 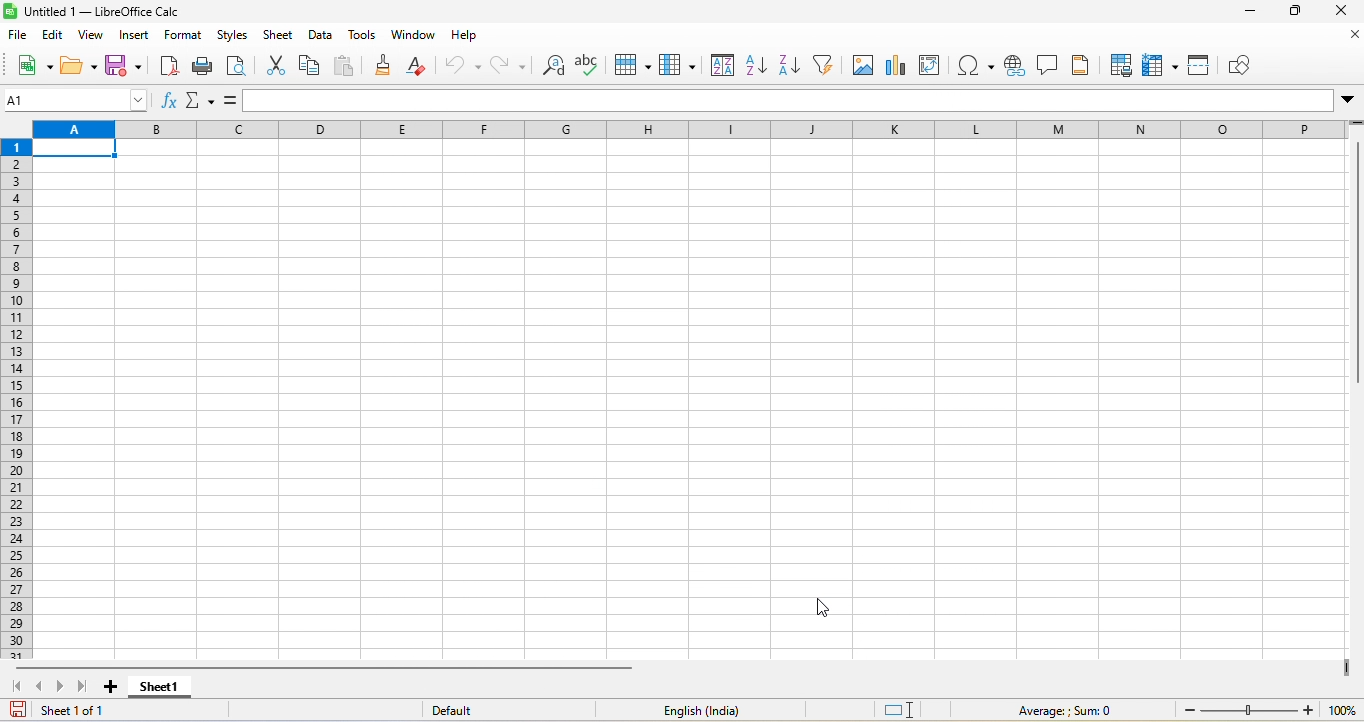 I want to click on function wizard, so click(x=170, y=103).